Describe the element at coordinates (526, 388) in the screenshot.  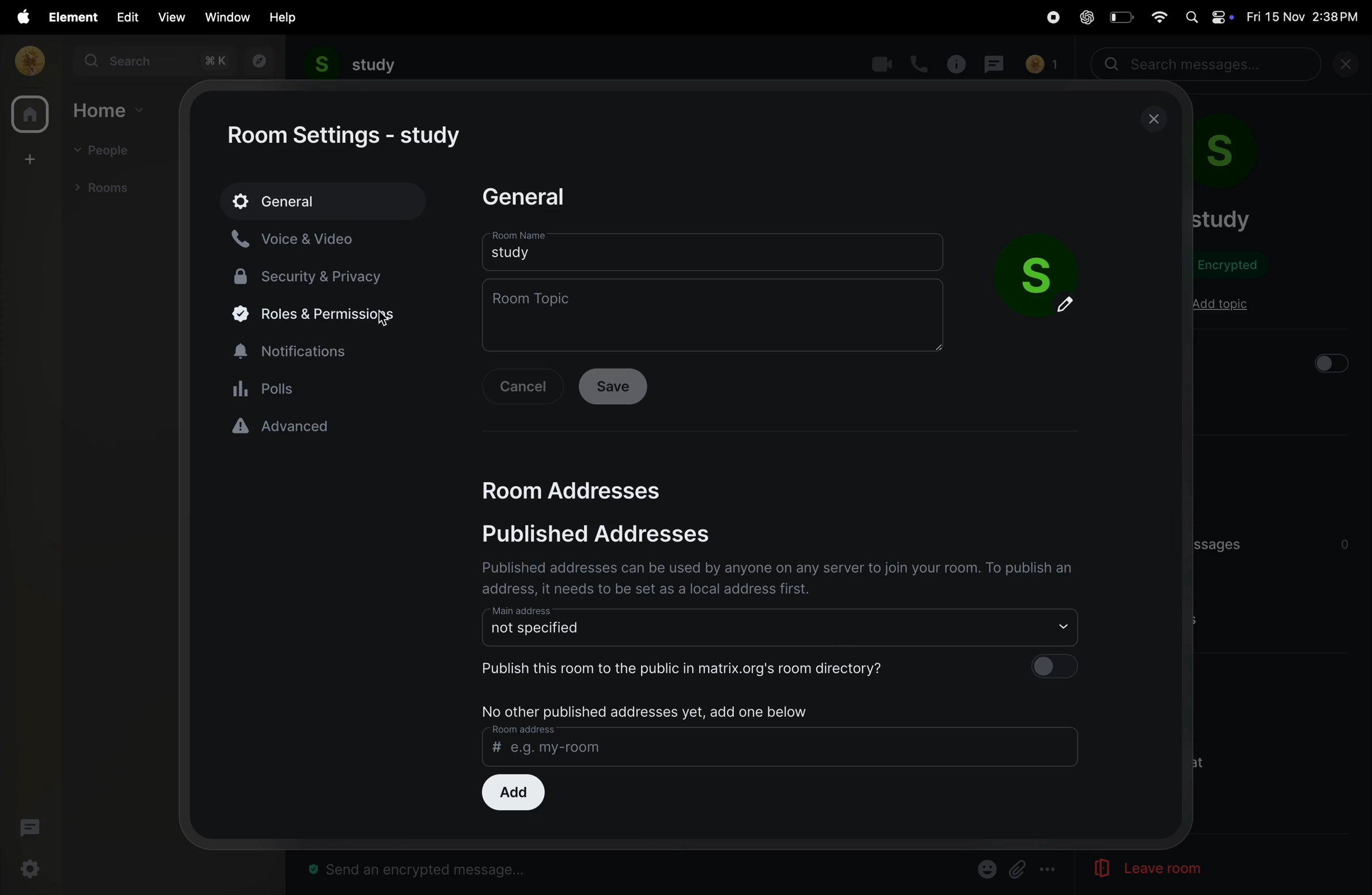
I see `cancel` at that location.